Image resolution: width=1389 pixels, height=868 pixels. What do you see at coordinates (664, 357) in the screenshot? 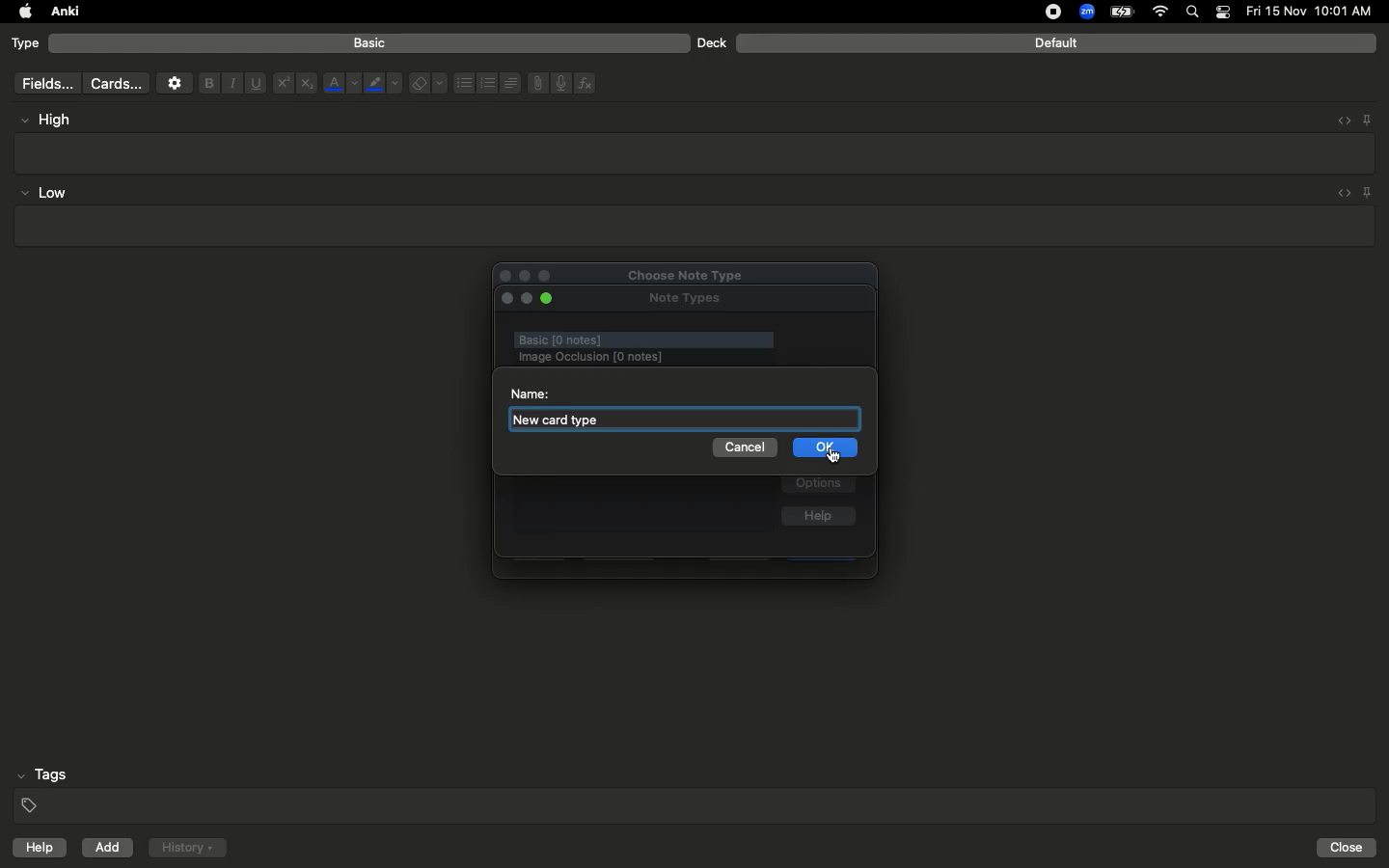
I see `image occlusion(0 notes)` at bounding box center [664, 357].